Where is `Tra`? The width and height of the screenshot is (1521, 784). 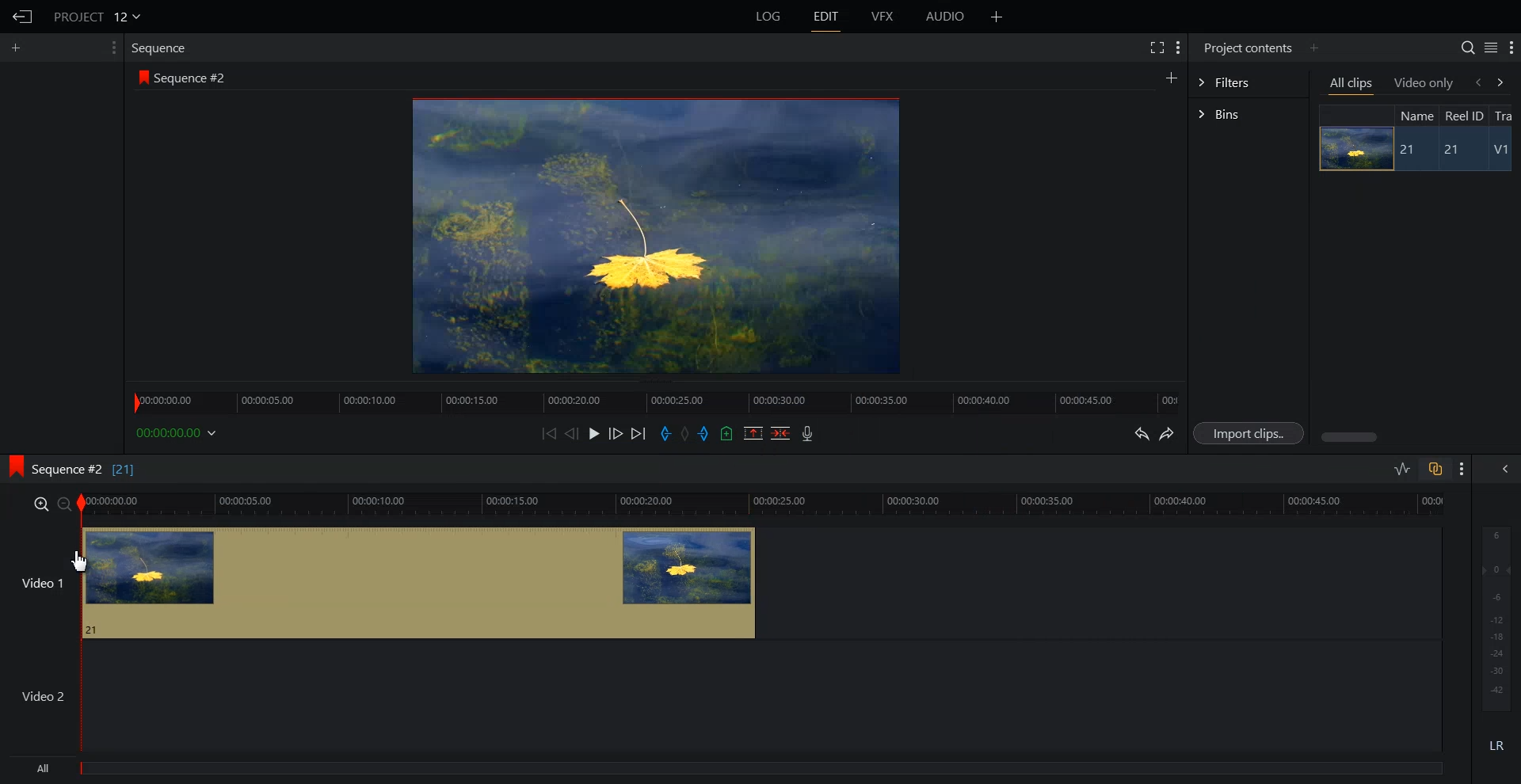
Tra is located at coordinates (1505, 115).